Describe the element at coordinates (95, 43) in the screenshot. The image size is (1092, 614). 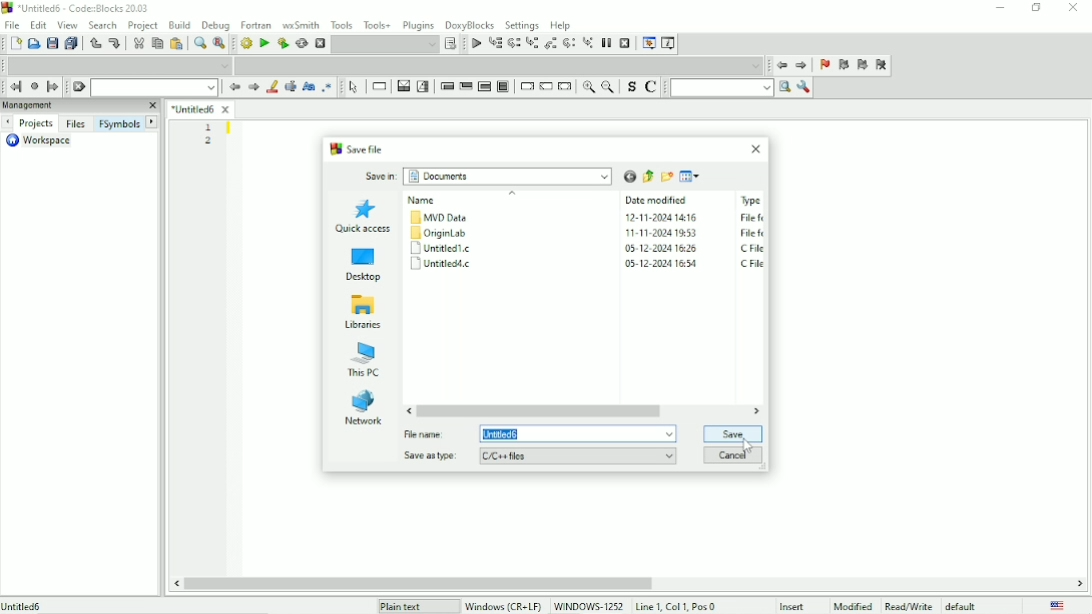
I see `undo` at that location.